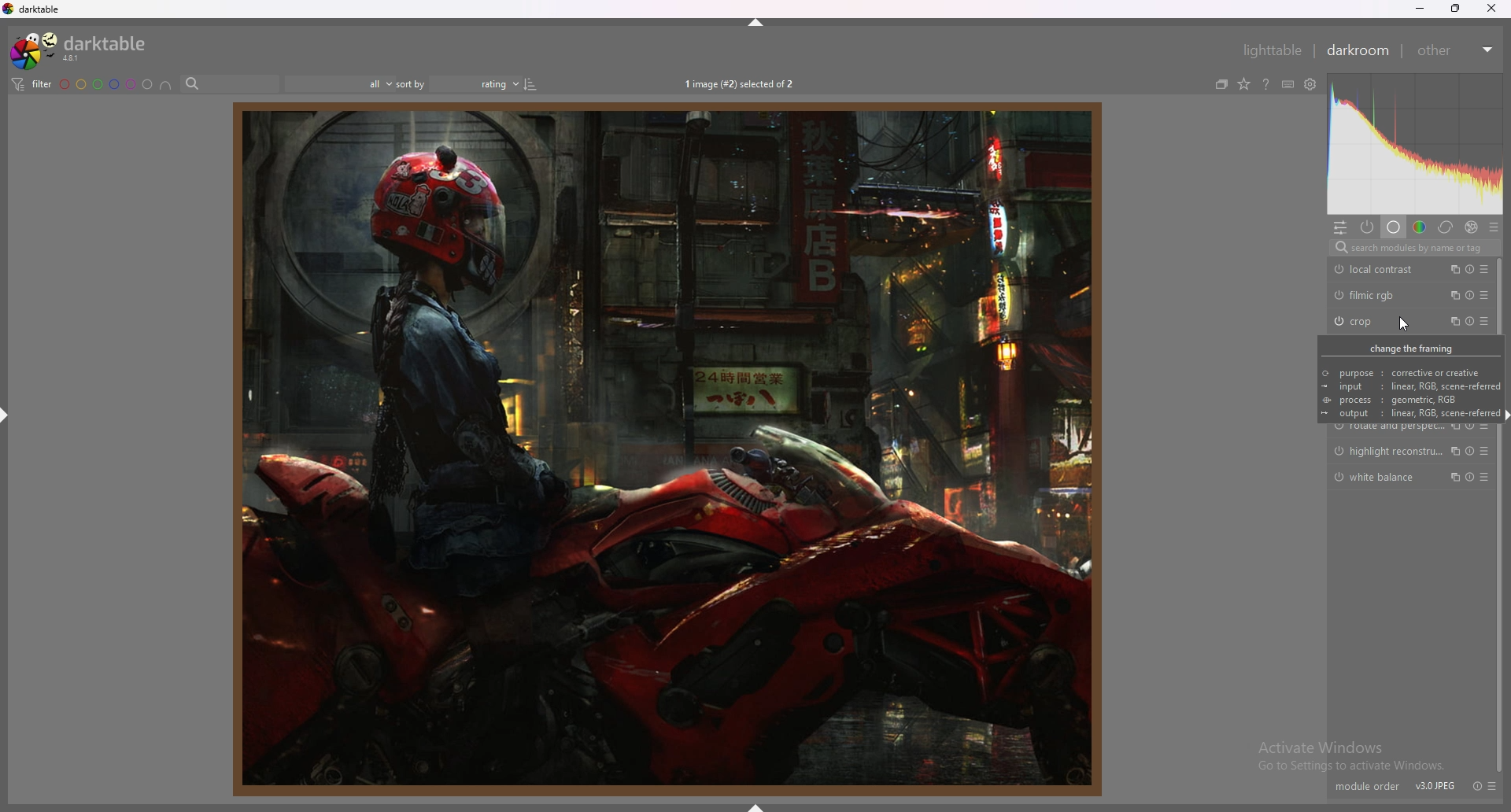 The height and width of the screenshot is (812, 1511). What do you see at coordinates (1472, 295) in the screenshot?
I see `reset` at bounding box center [1472, 295].